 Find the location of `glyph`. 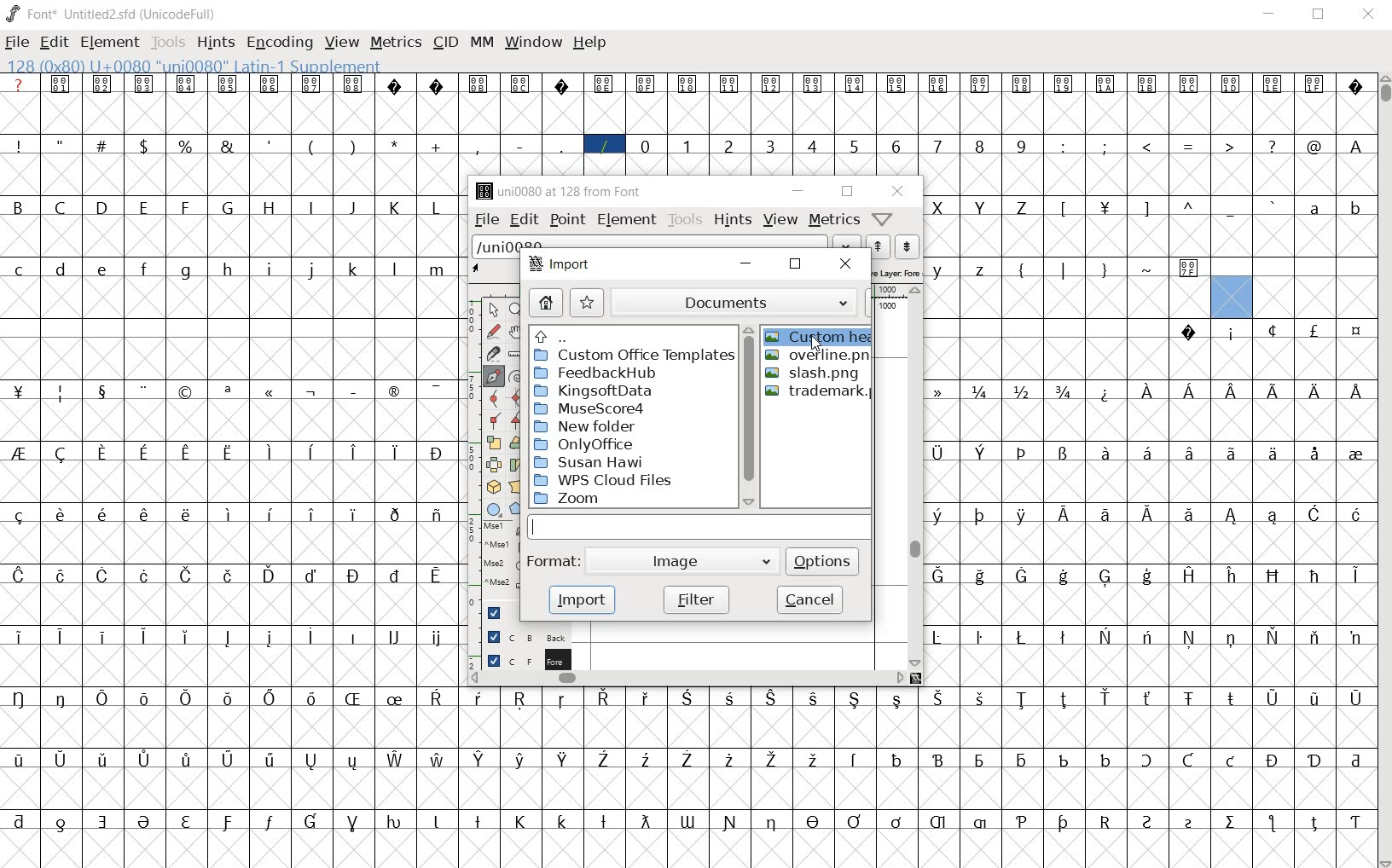

glyph is located at coordinates (311, 761).